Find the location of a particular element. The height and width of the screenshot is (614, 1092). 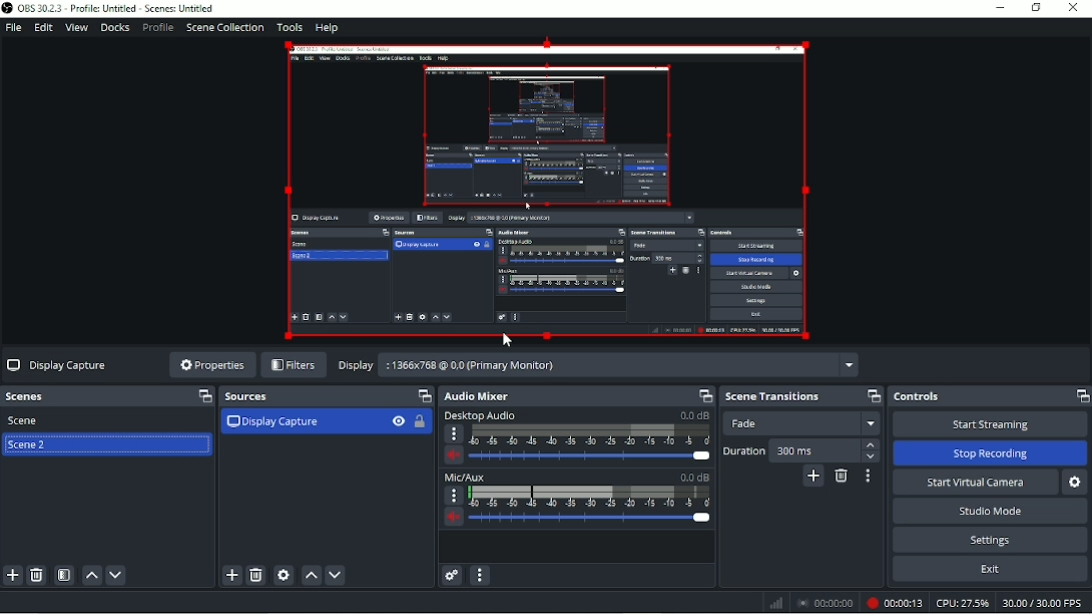

Edit is located at coordinates (42, 28).